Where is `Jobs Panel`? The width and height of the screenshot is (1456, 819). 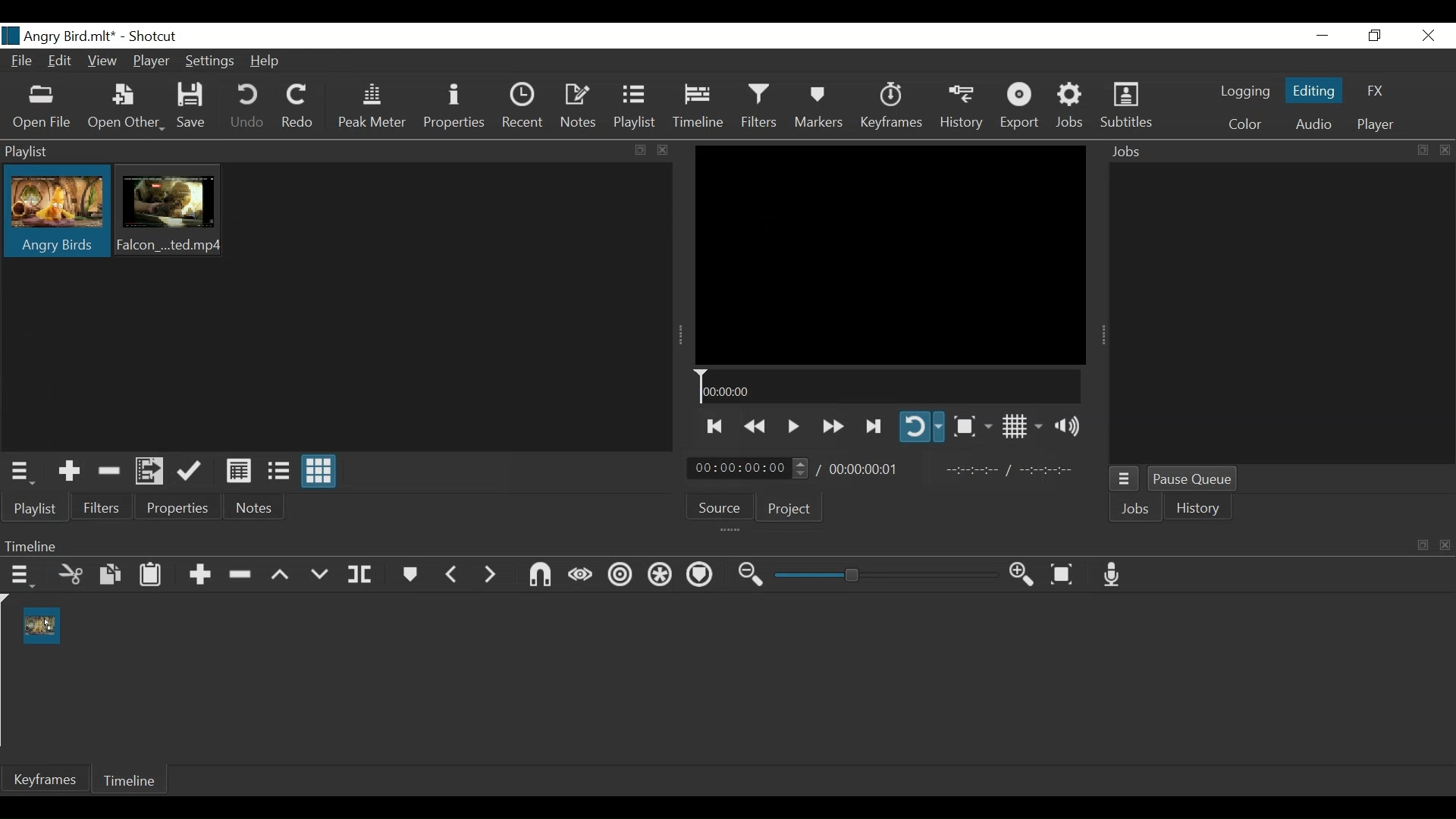 Jobs Panel is located at coordinates (1281, 313).